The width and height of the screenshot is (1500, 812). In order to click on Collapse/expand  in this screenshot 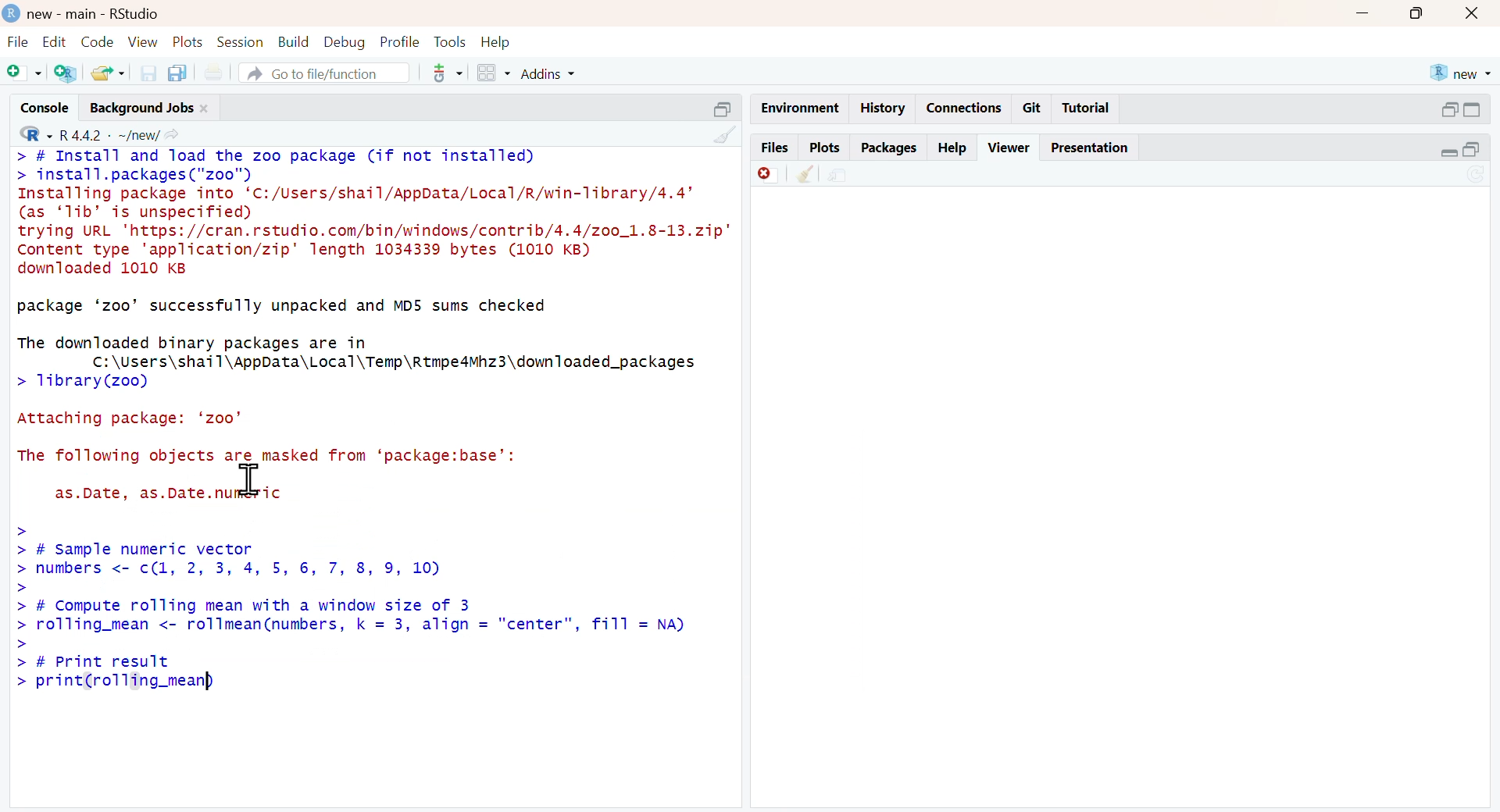, I will do `click(1448, 152)`.